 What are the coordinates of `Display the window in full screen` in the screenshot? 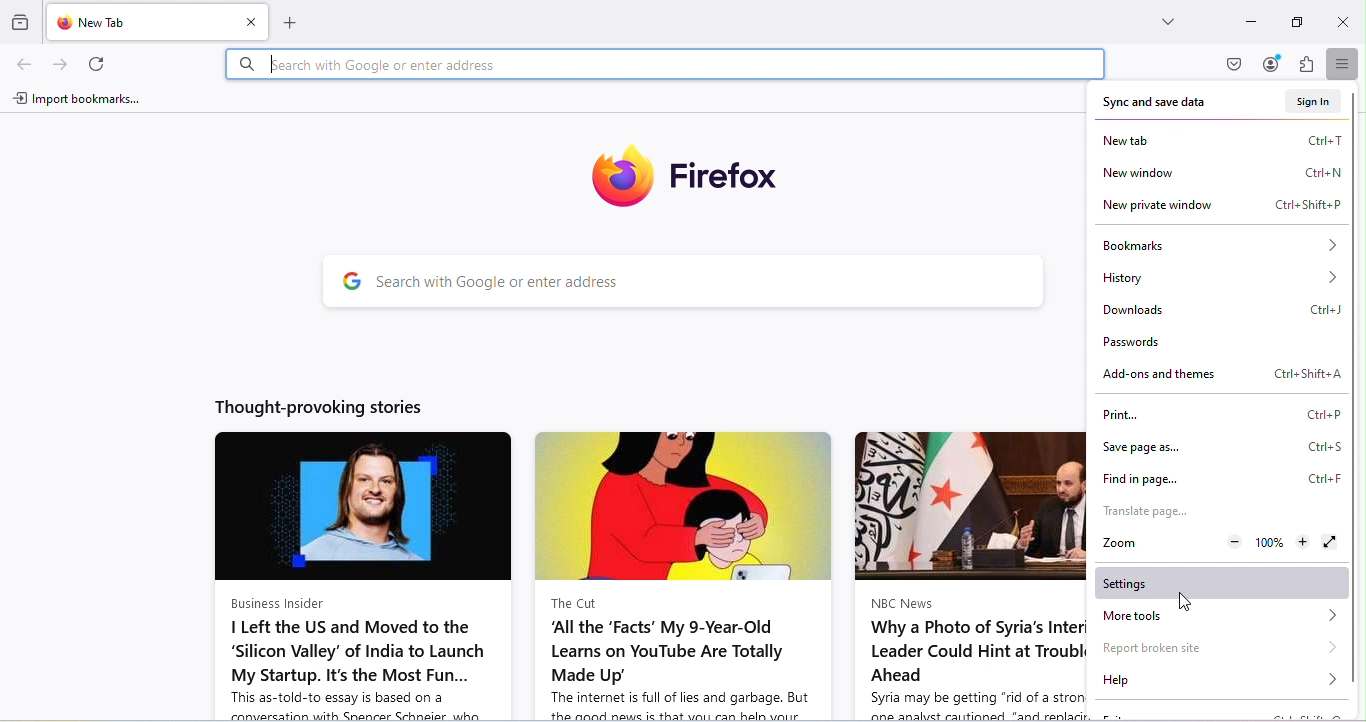 It's located at (1329, 543).